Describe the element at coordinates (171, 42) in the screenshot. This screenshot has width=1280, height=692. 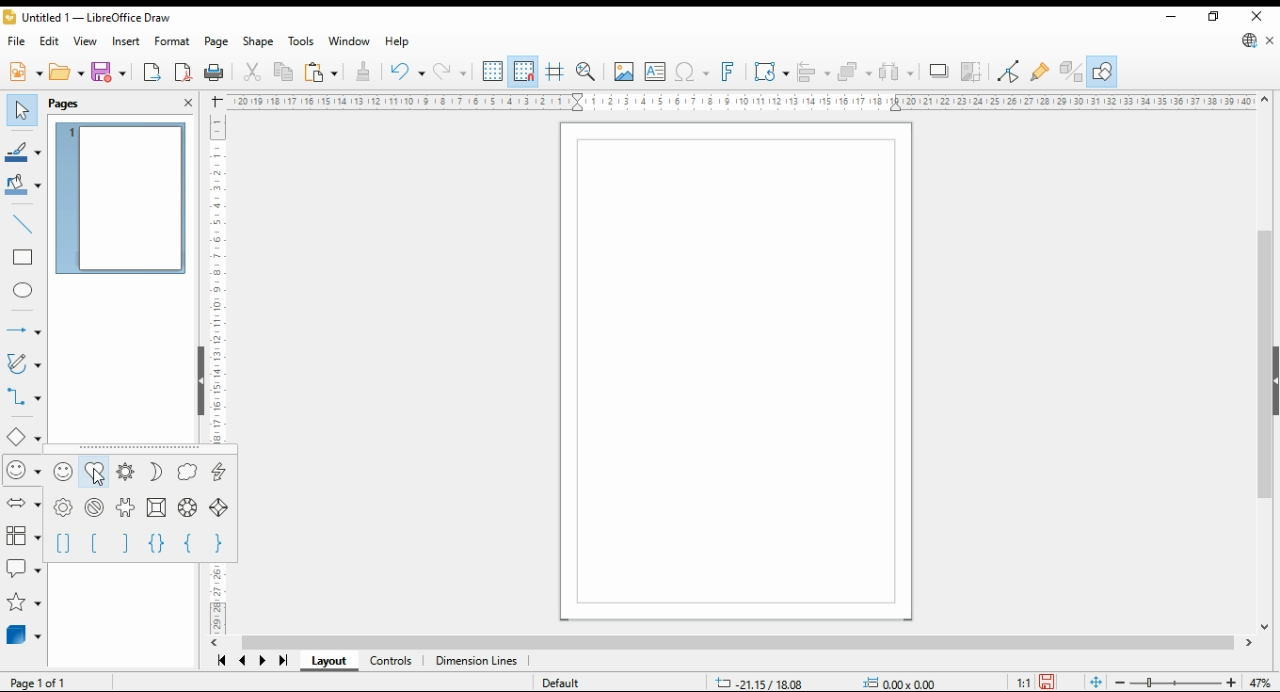
I see `format` at that location.